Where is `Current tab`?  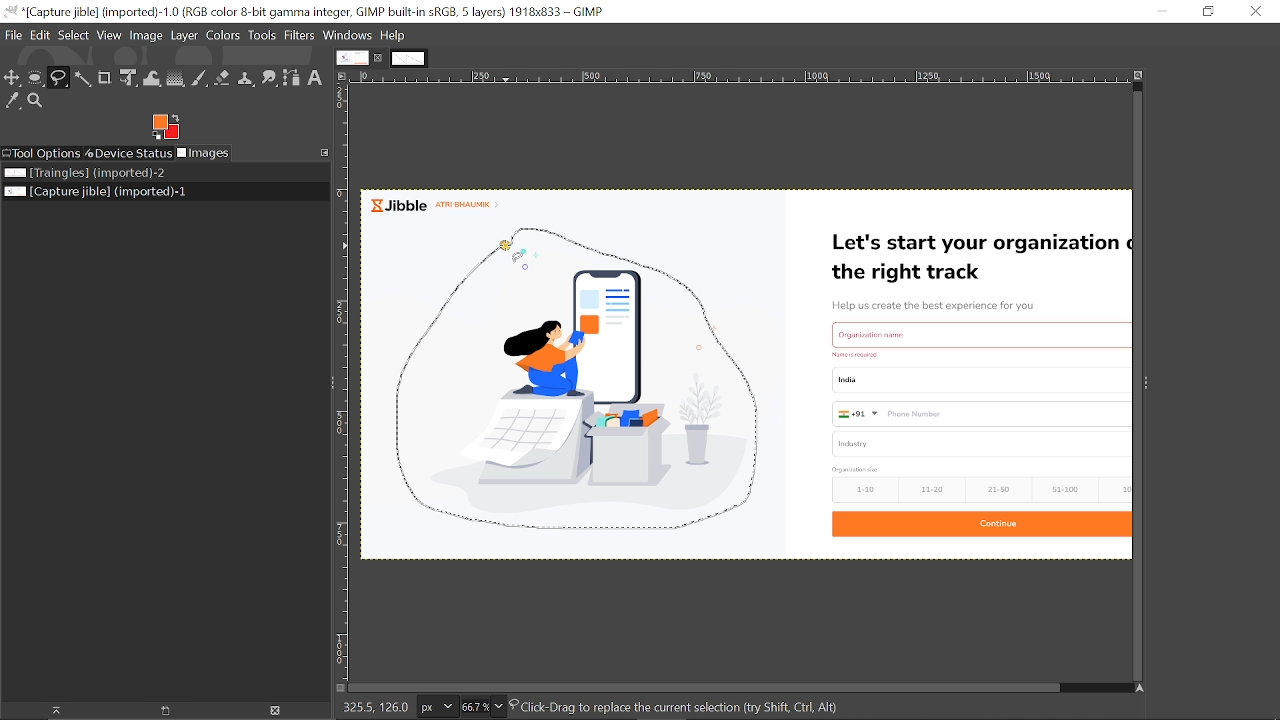 Current tab is located at coordinates (352, 57).